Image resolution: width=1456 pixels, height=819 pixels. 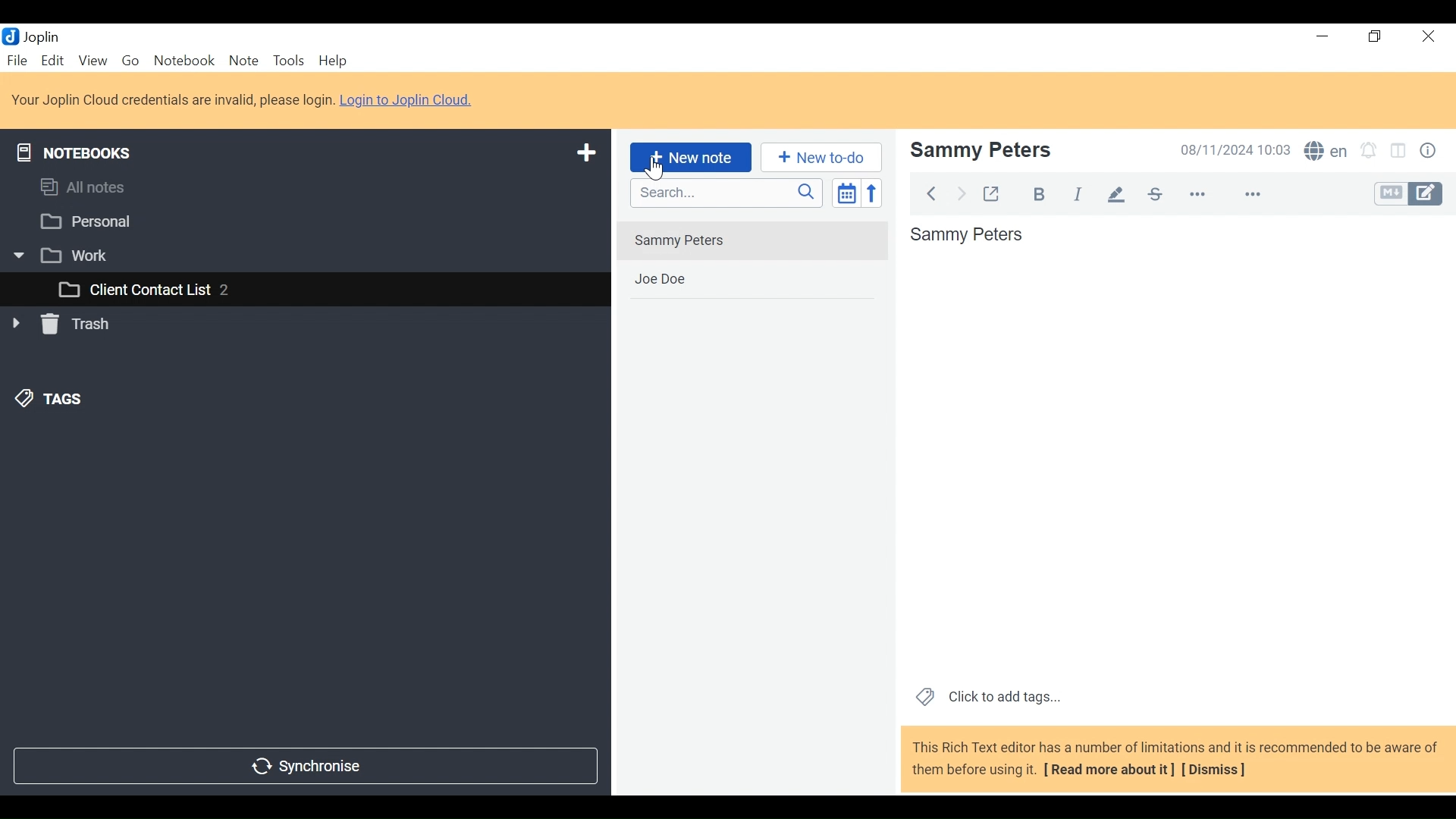 I want to click on Work, so click(x=296, y=255).